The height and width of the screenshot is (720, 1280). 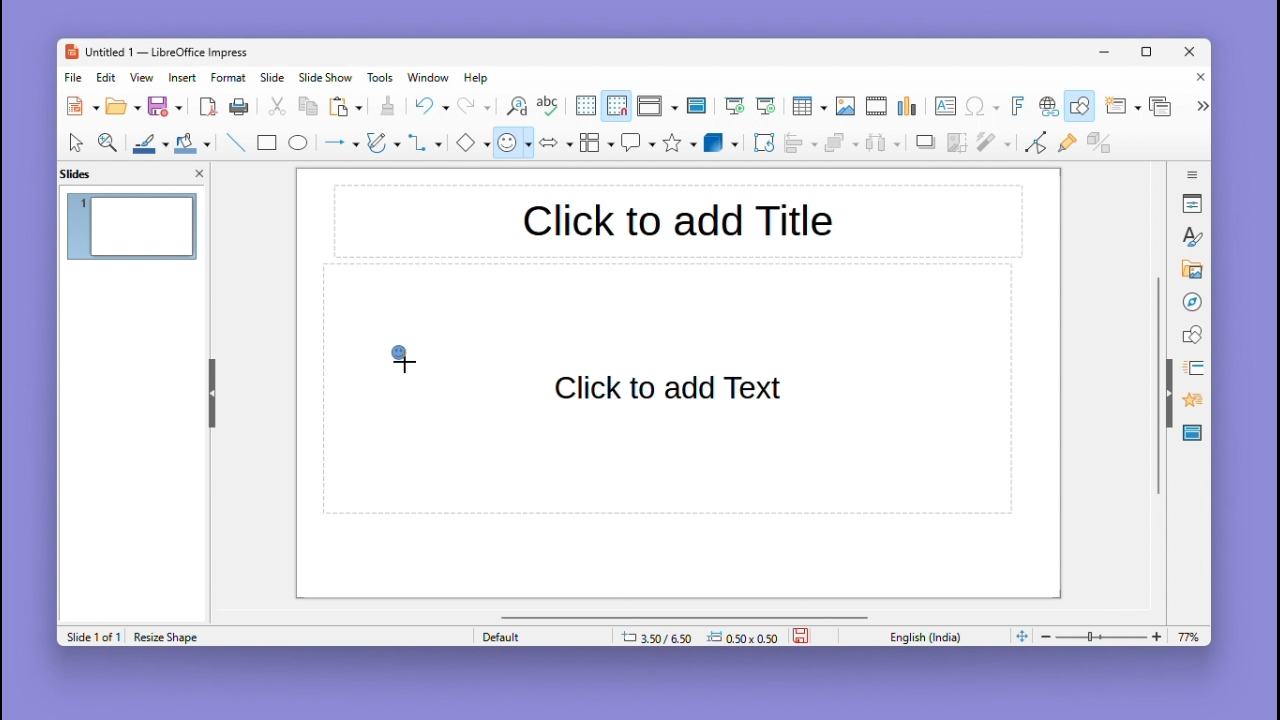 I want to click on File, so click(x=74, y=78).